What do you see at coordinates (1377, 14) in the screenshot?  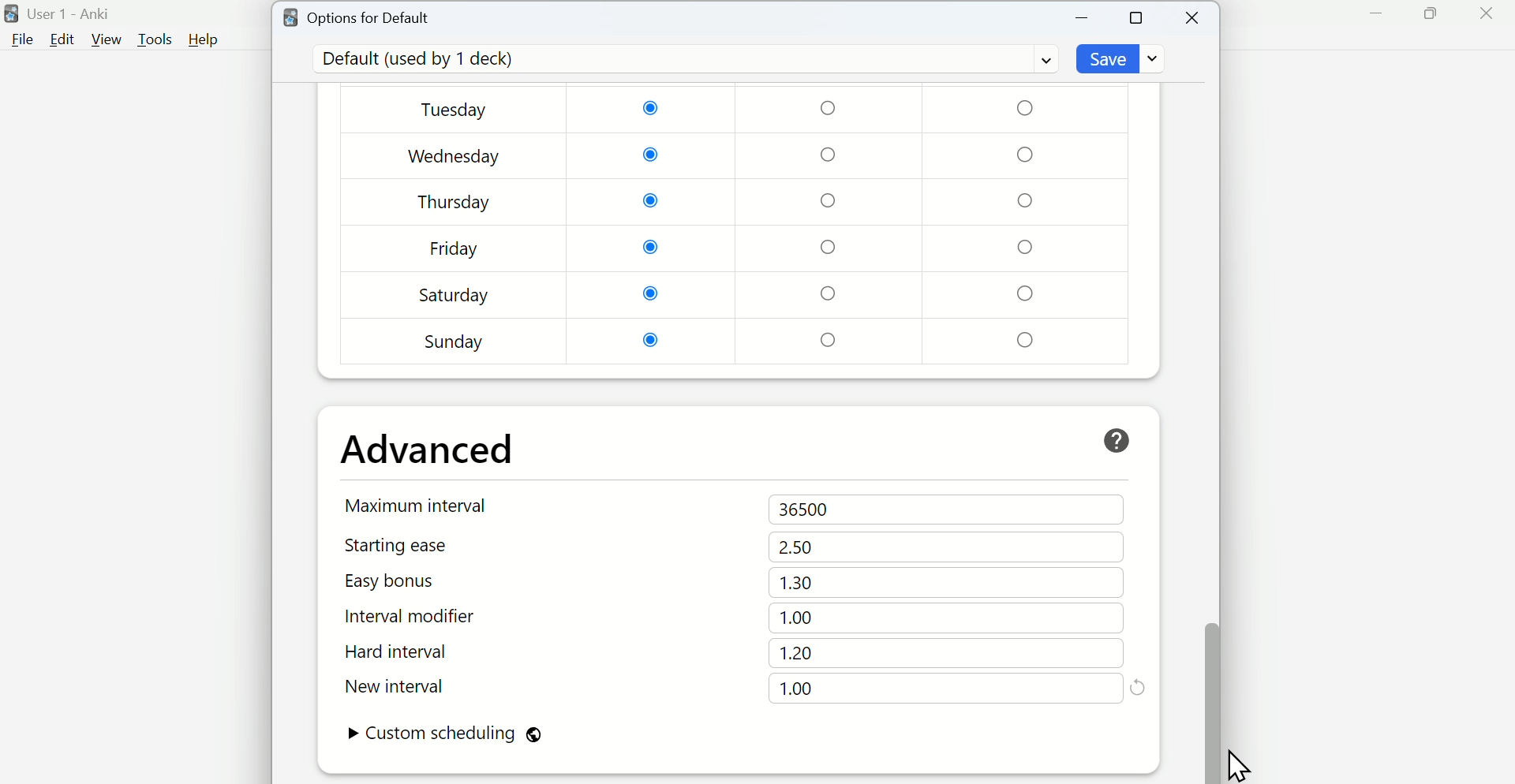 I see `Minimize` at bounding box center [1377, 14].